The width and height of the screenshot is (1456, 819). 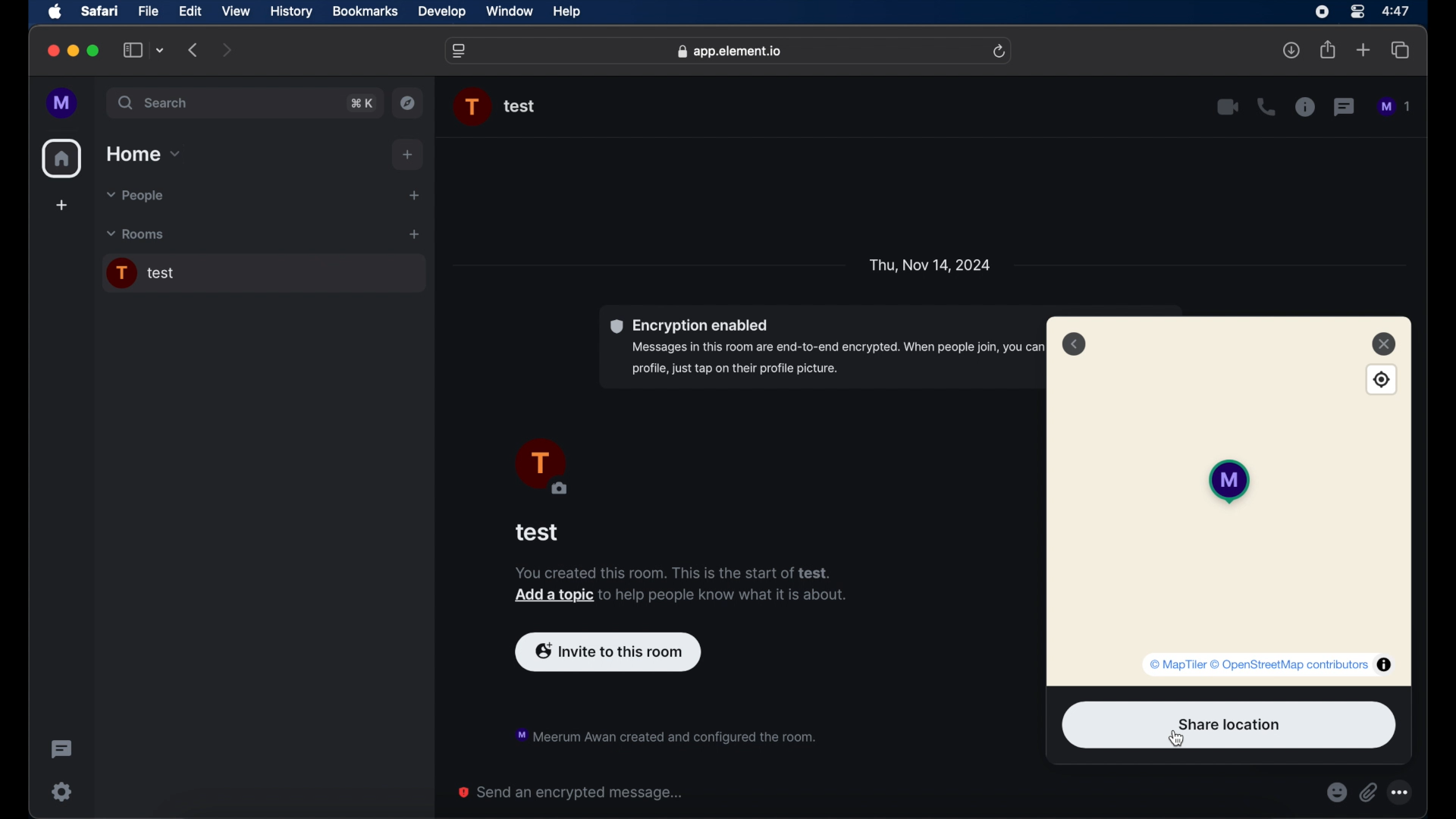 I want to click on invite to this room, so click(x=608, y=650).